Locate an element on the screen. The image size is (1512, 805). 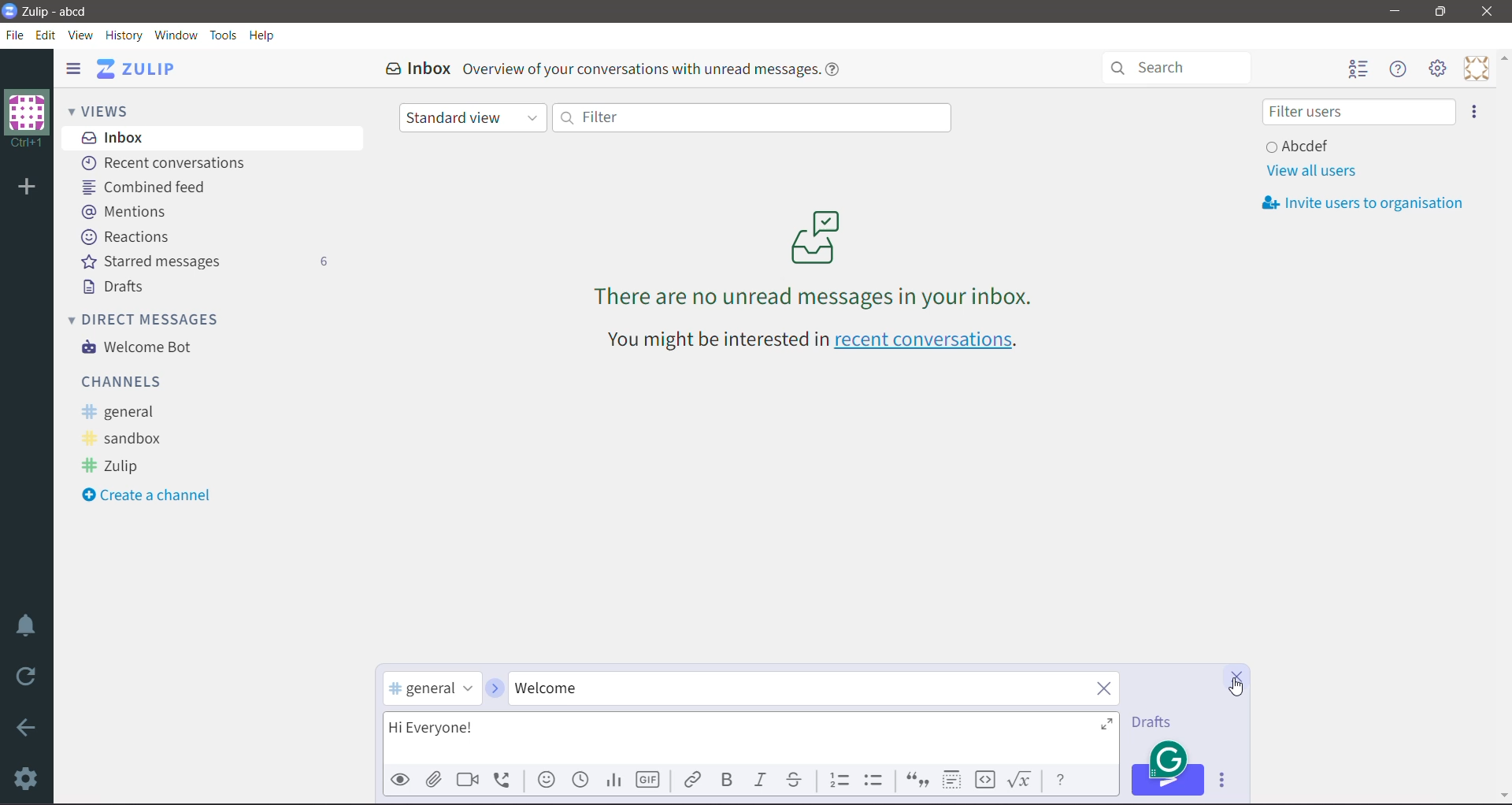
Help is located at coordinates (262, 35).